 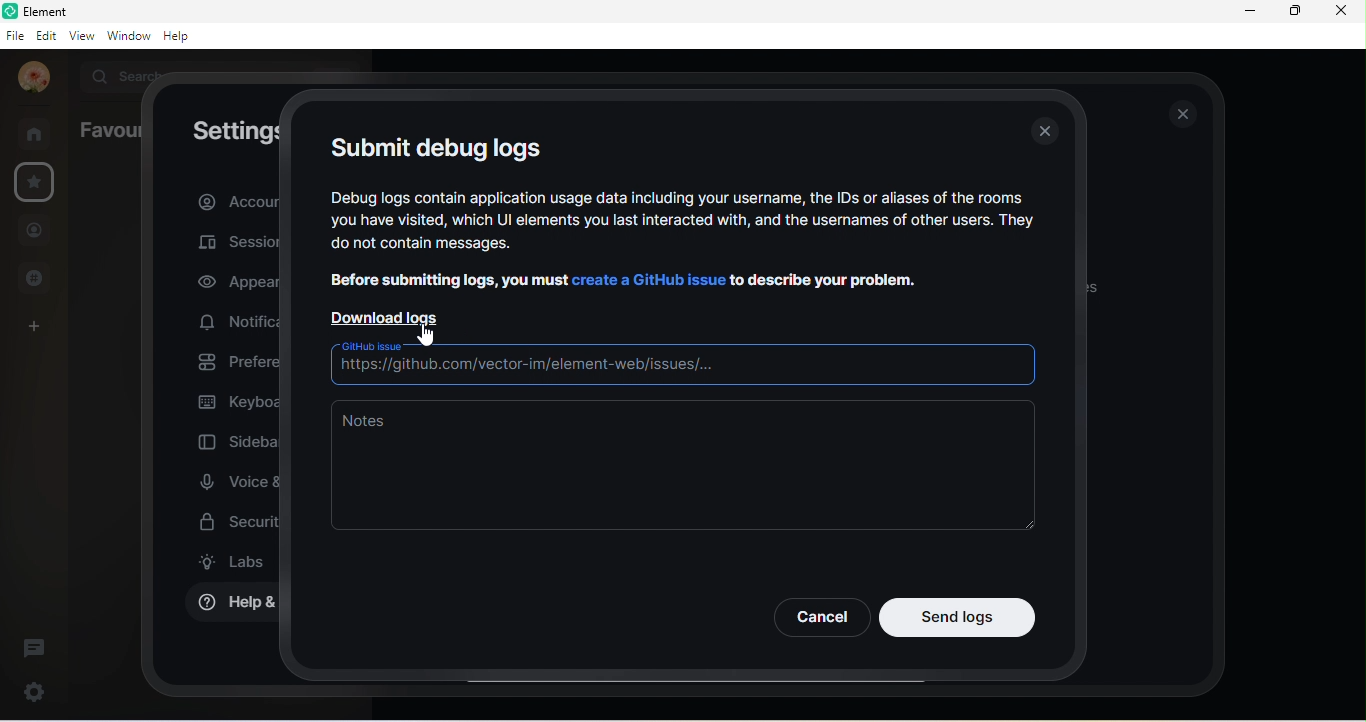 What do you see at coordinates (425, 336) in the screenshot?
I see `cursor movement` at bounding box center [425, 336].